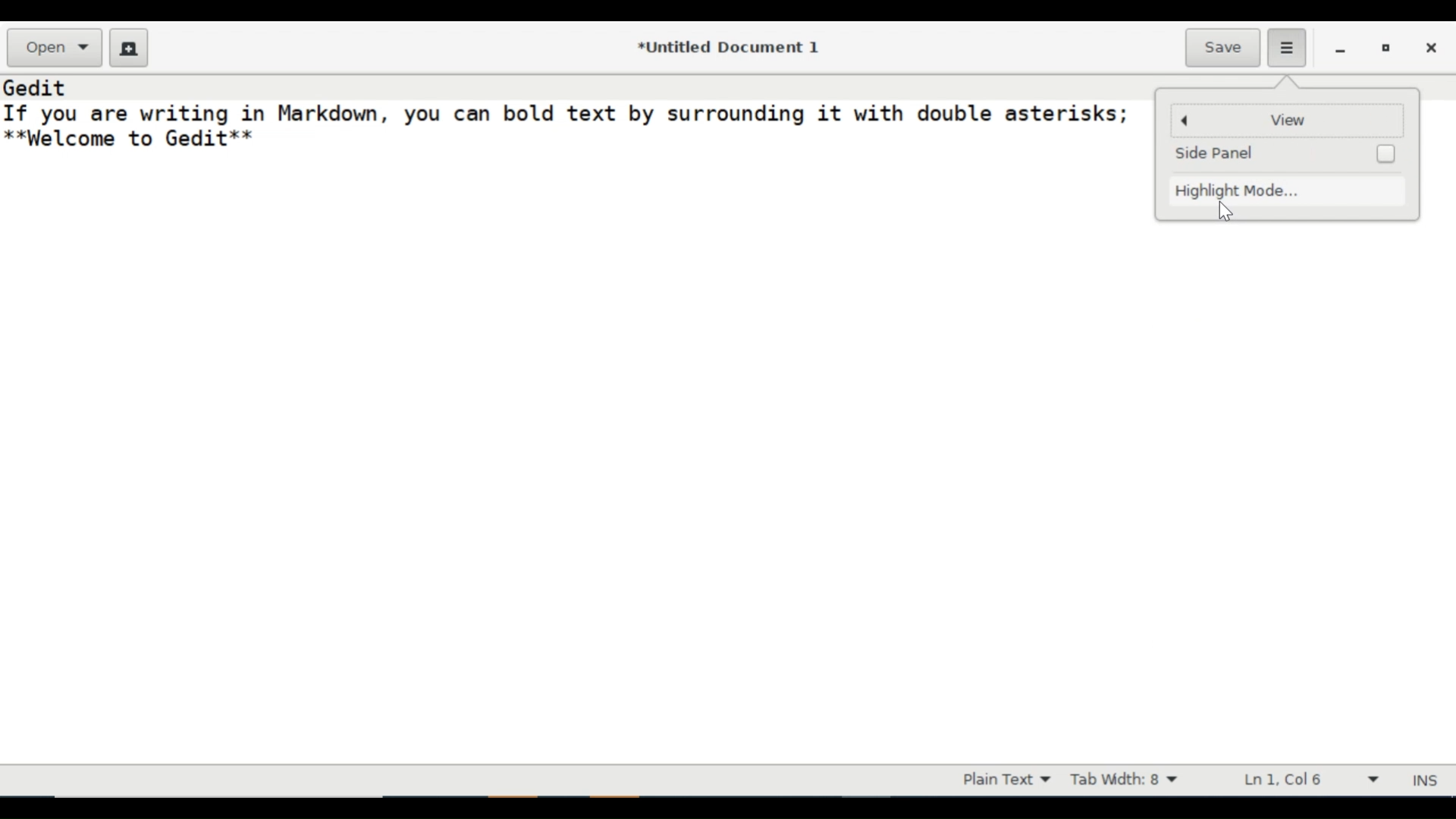 This screenshot has width=1456, height=819. I want to click on **Welcome to Gedit**, so click(130, 139).